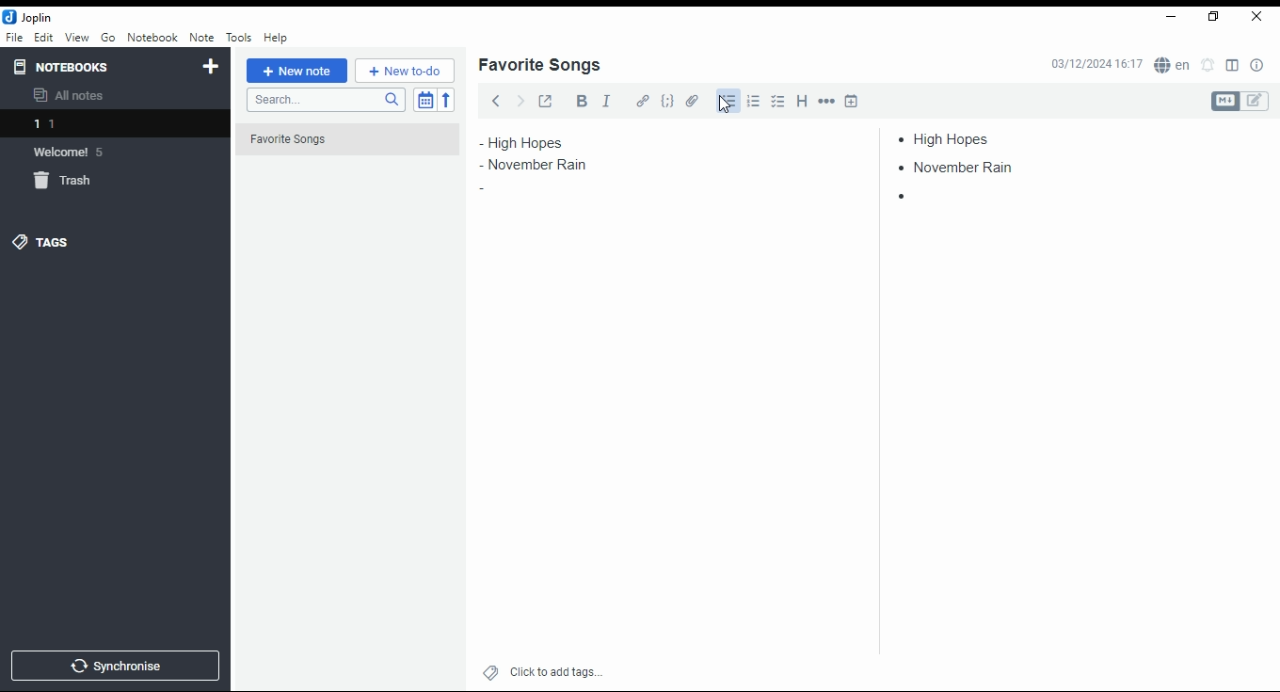 This screenshot has height=692, width=1280. I want to click on tags, so click(41, 241).